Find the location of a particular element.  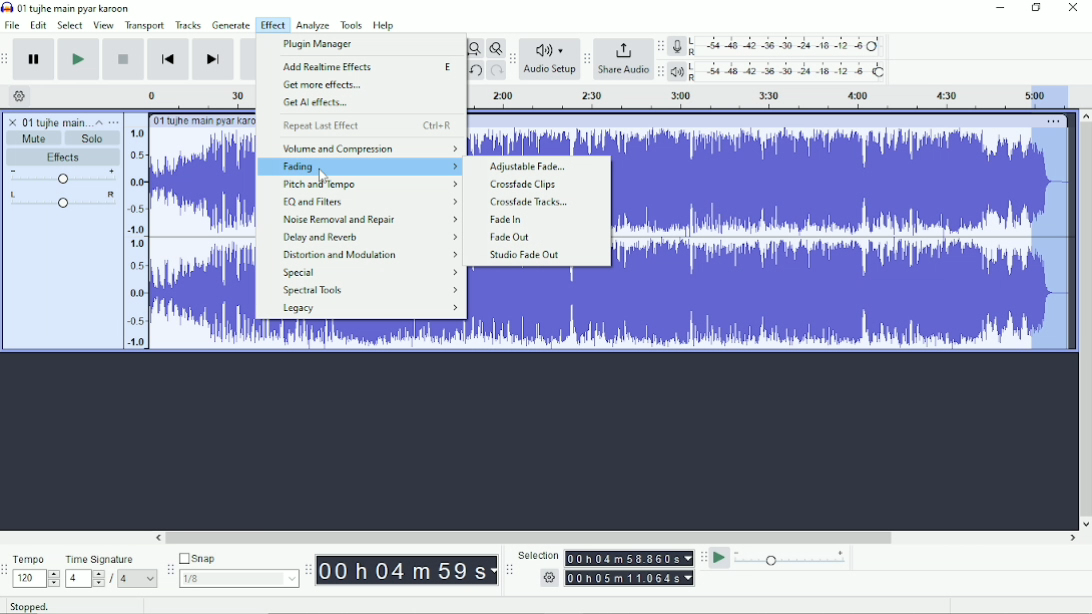

00h00m00s is located at coordinates (408, 571).